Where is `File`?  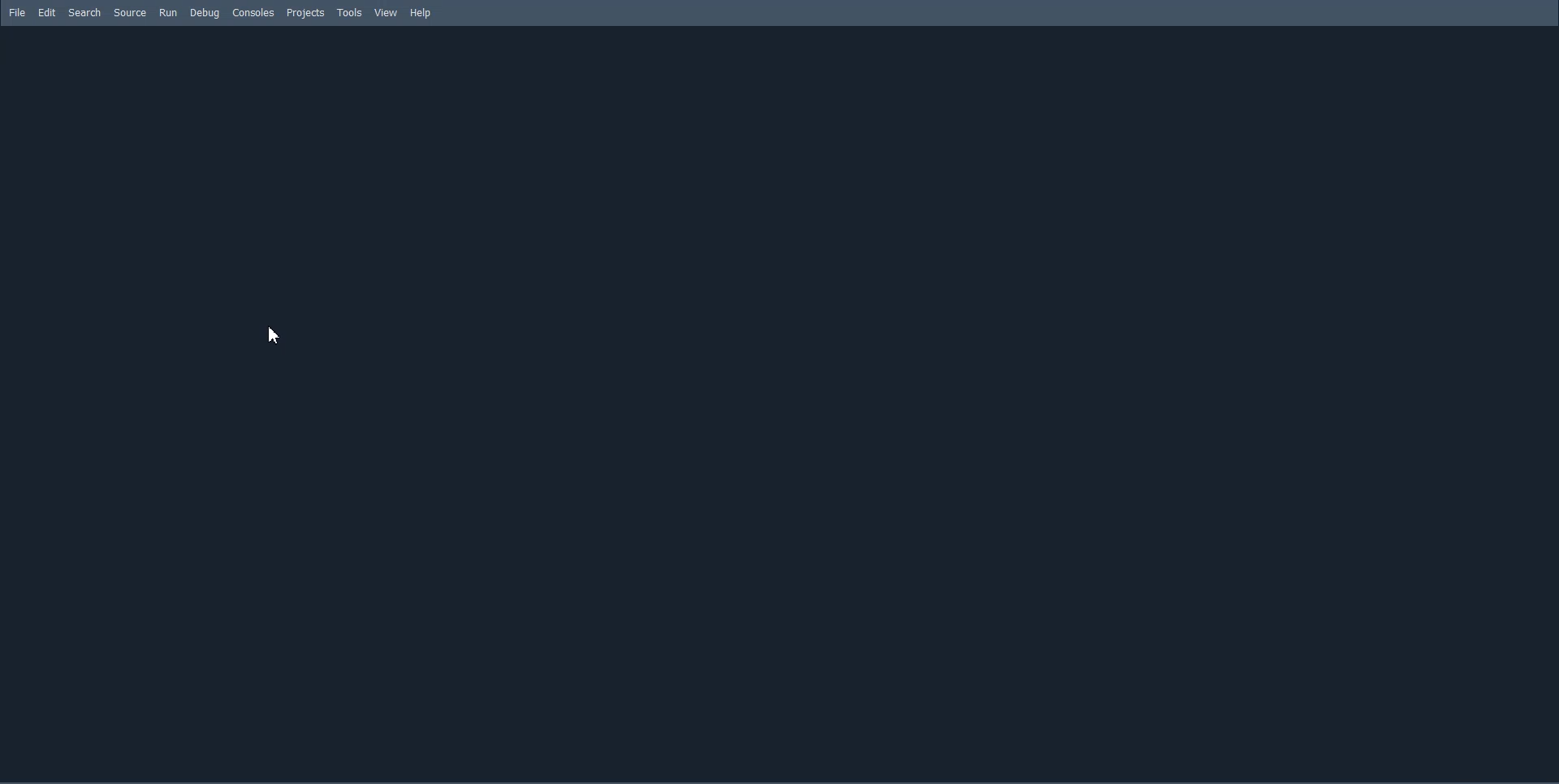
File is located at coordinates (17, 12).